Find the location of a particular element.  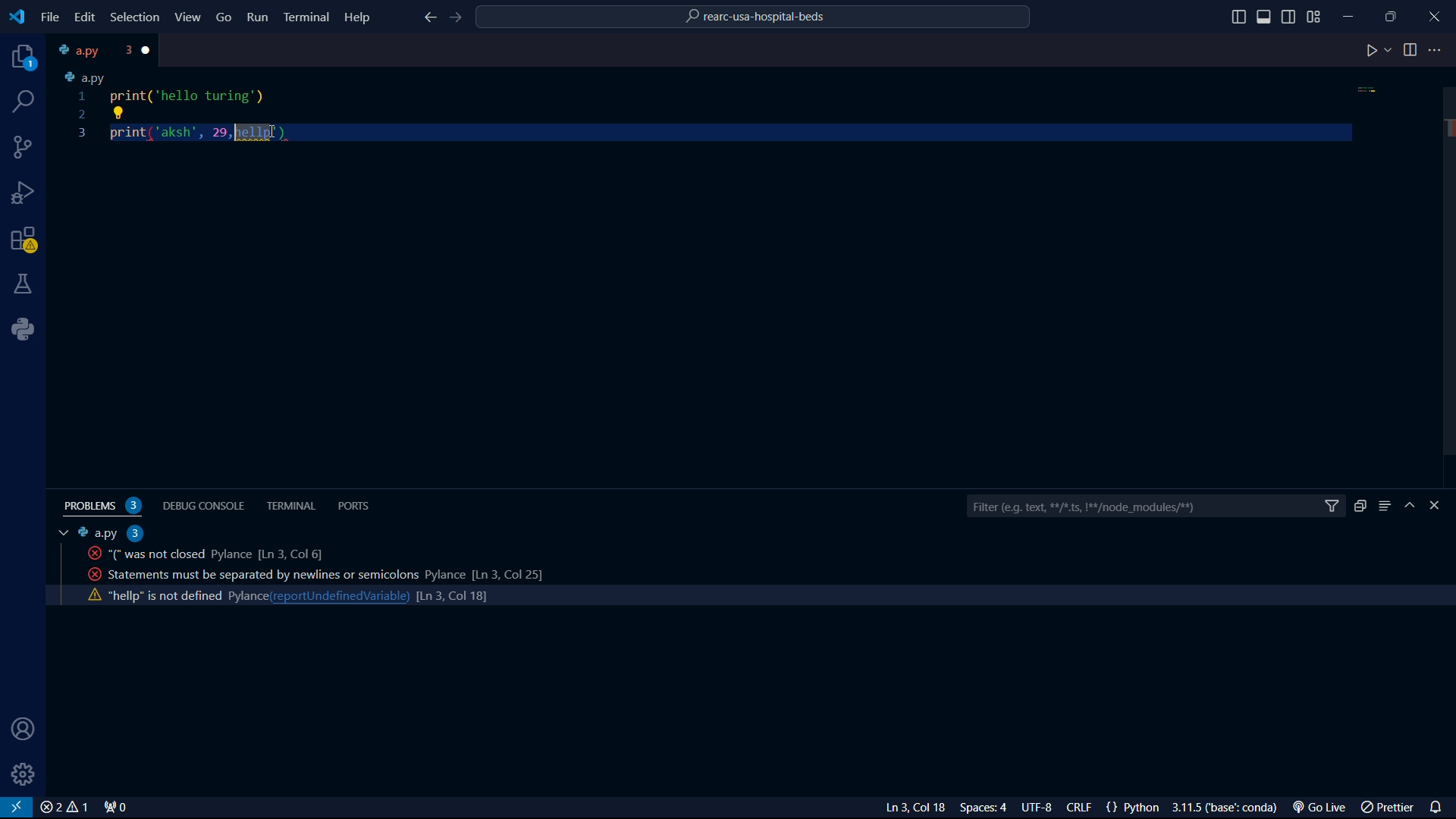

Spaces: 4 is located at coordinates (987, 808).